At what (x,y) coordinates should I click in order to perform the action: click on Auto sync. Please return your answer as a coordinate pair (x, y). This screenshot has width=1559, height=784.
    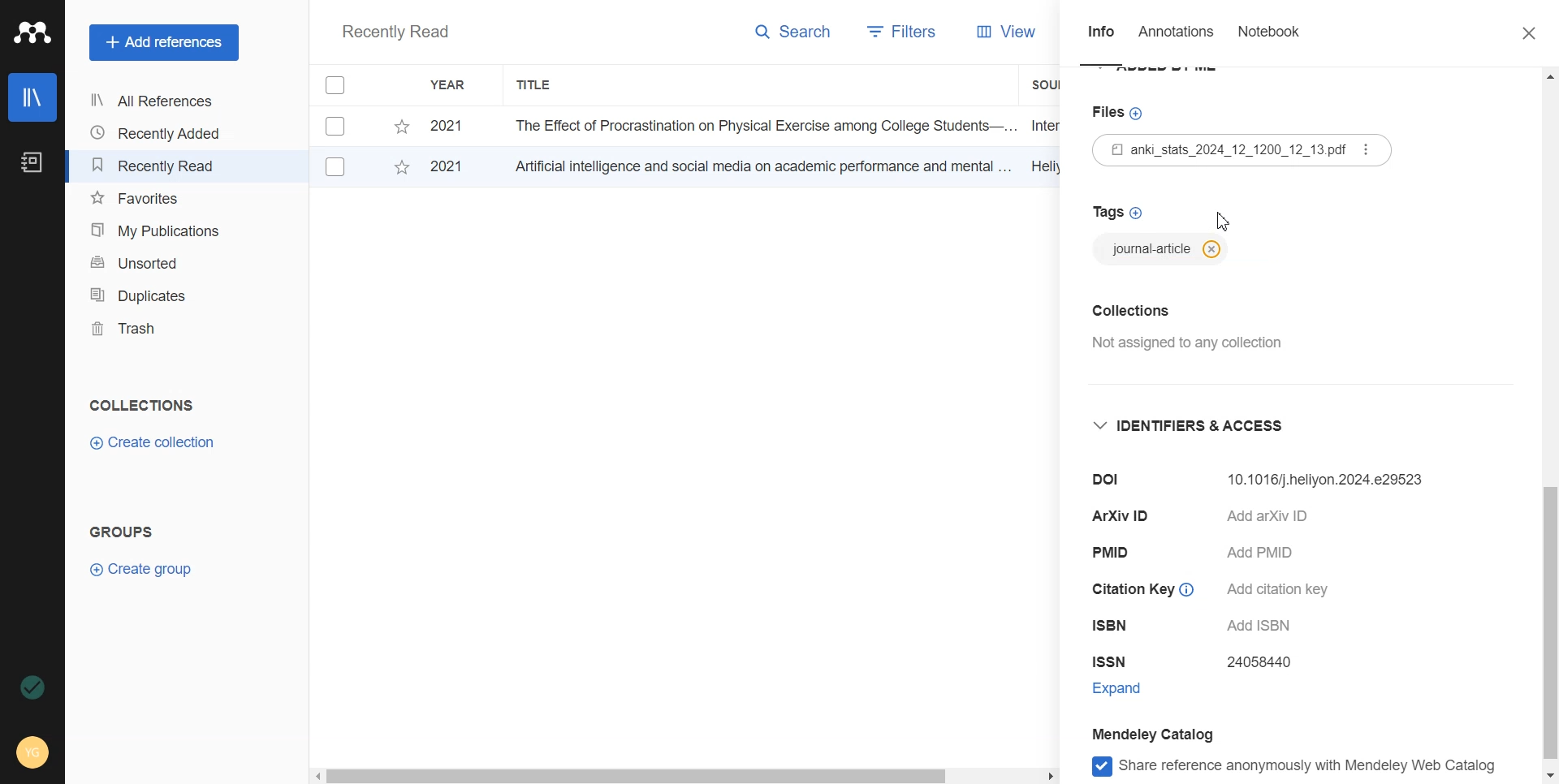
    Looking at the image, I should click on (30, 687).